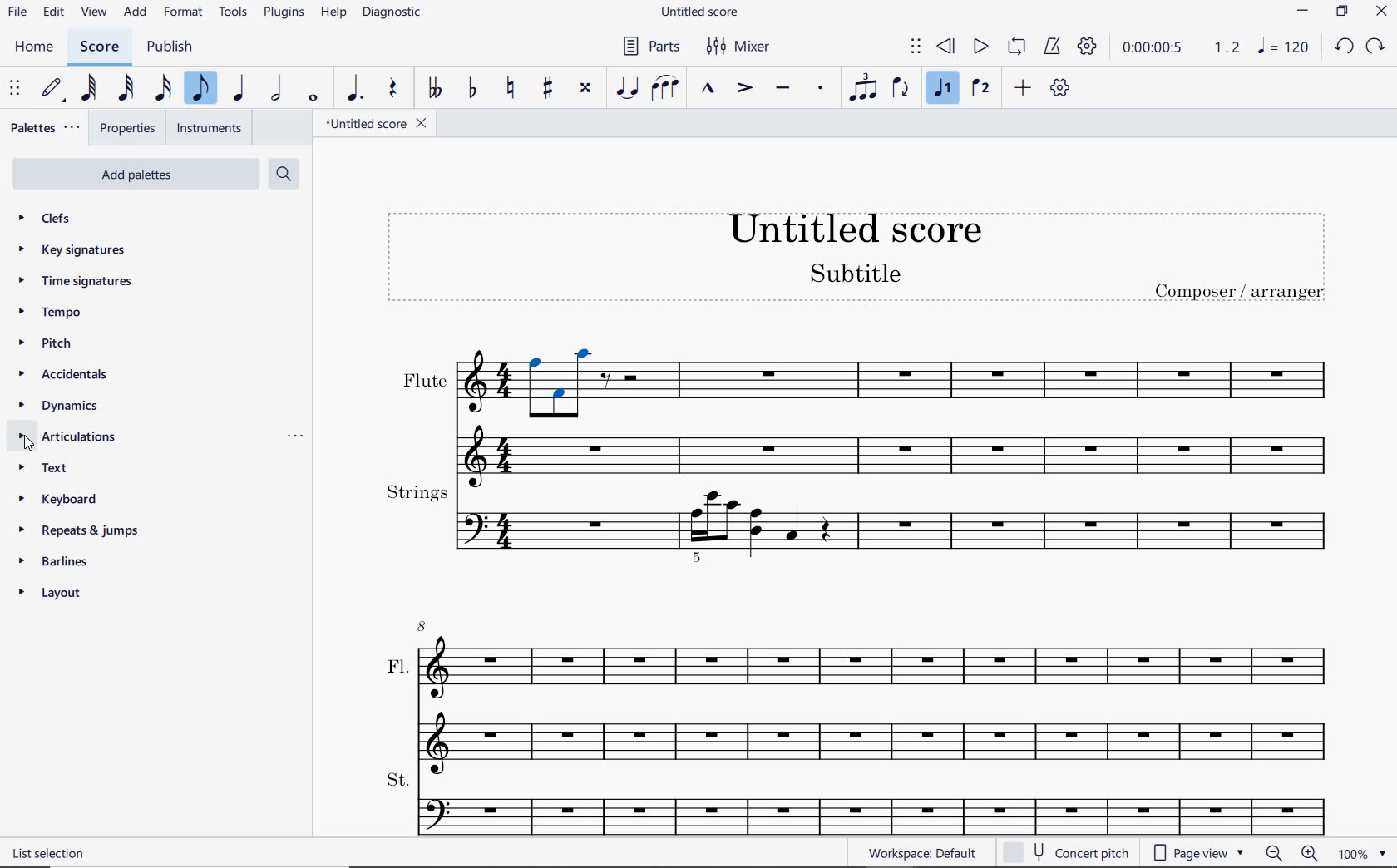 The width and height of the screenshot is (1397, 868). I want to click on tempo, so click(51, 312).